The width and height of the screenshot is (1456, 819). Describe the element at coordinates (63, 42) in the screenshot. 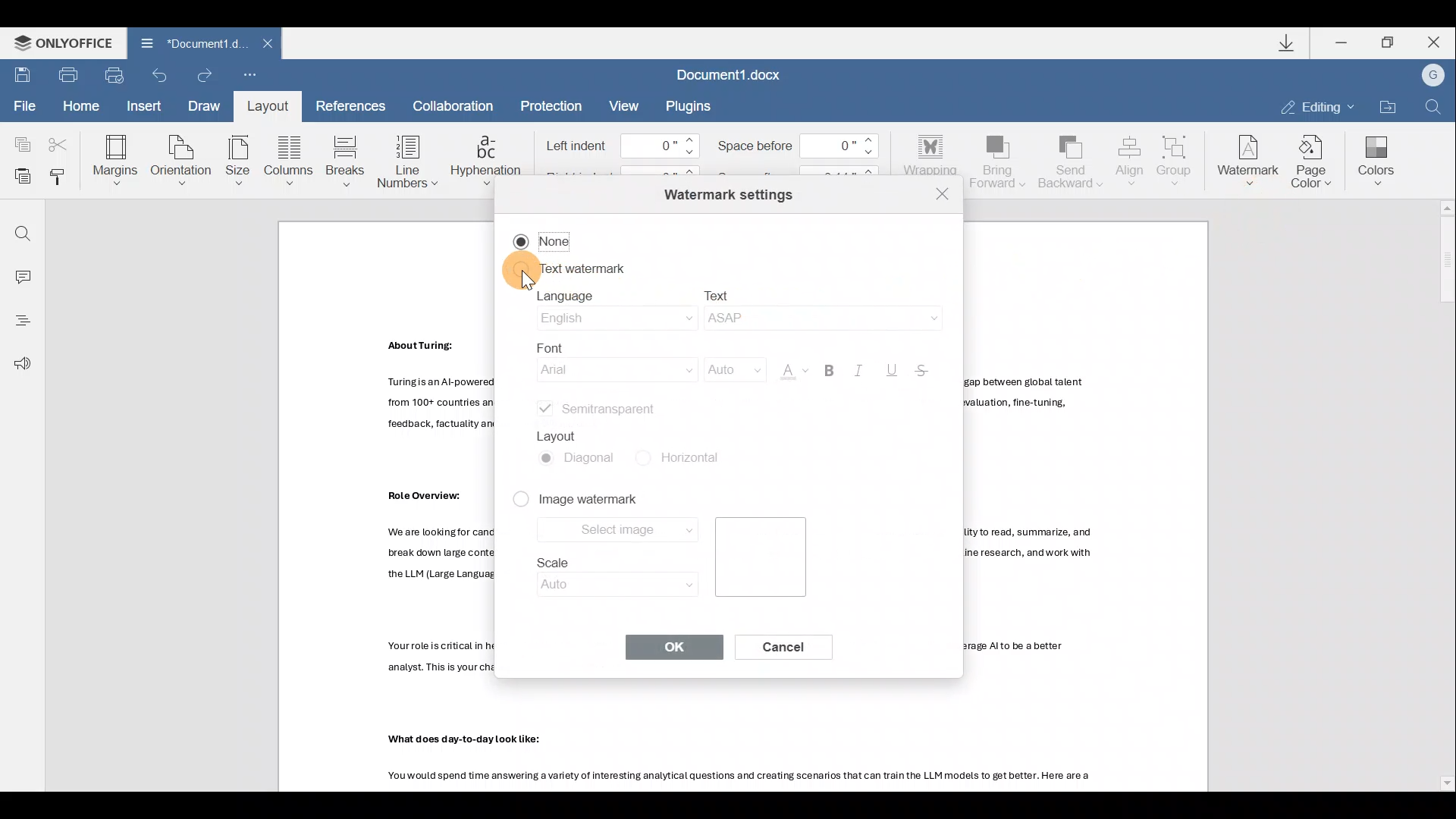

I see `ONLYOFFICE` at that location.